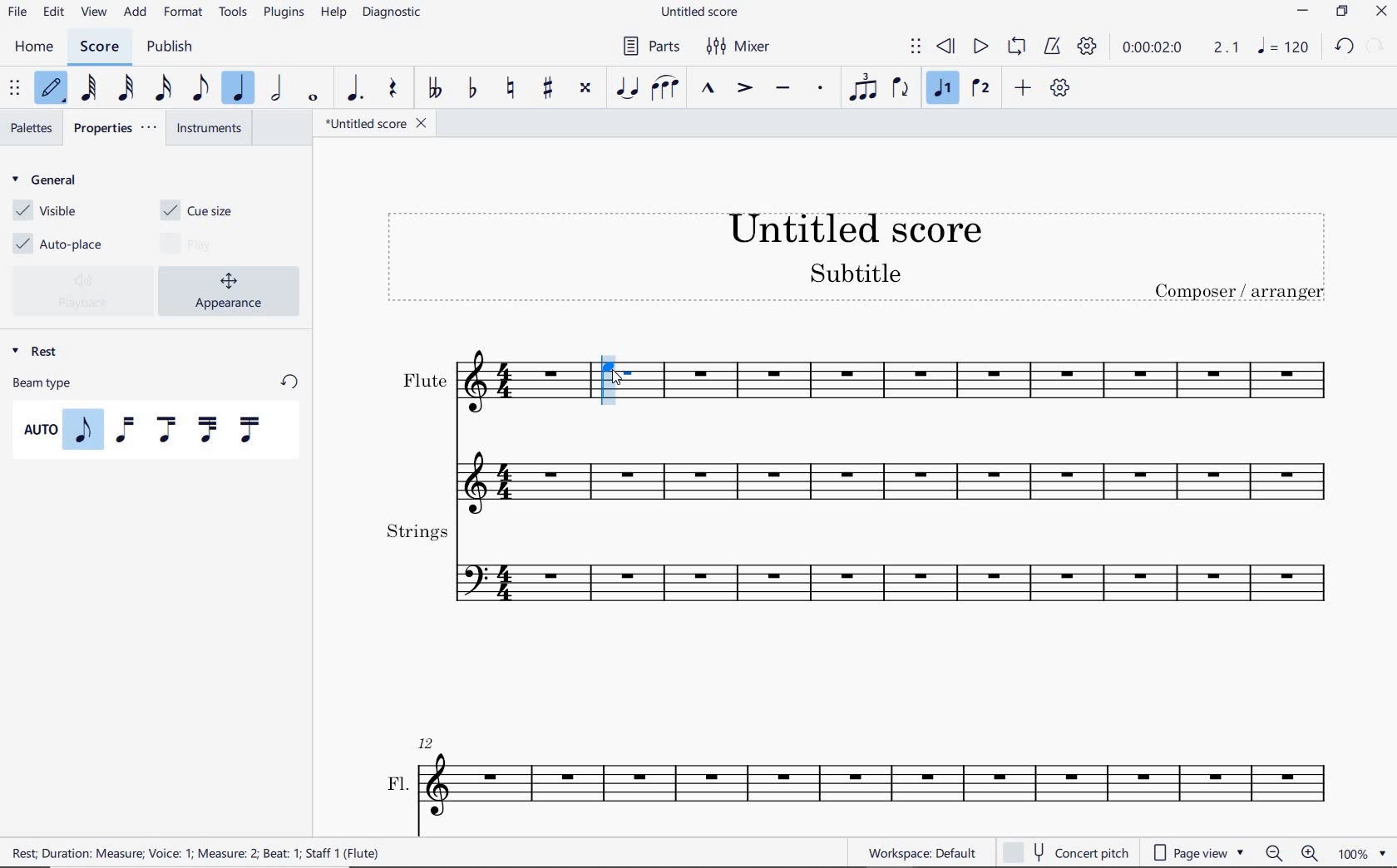  I want to click on 16TH NOTE, so click(163, 88).